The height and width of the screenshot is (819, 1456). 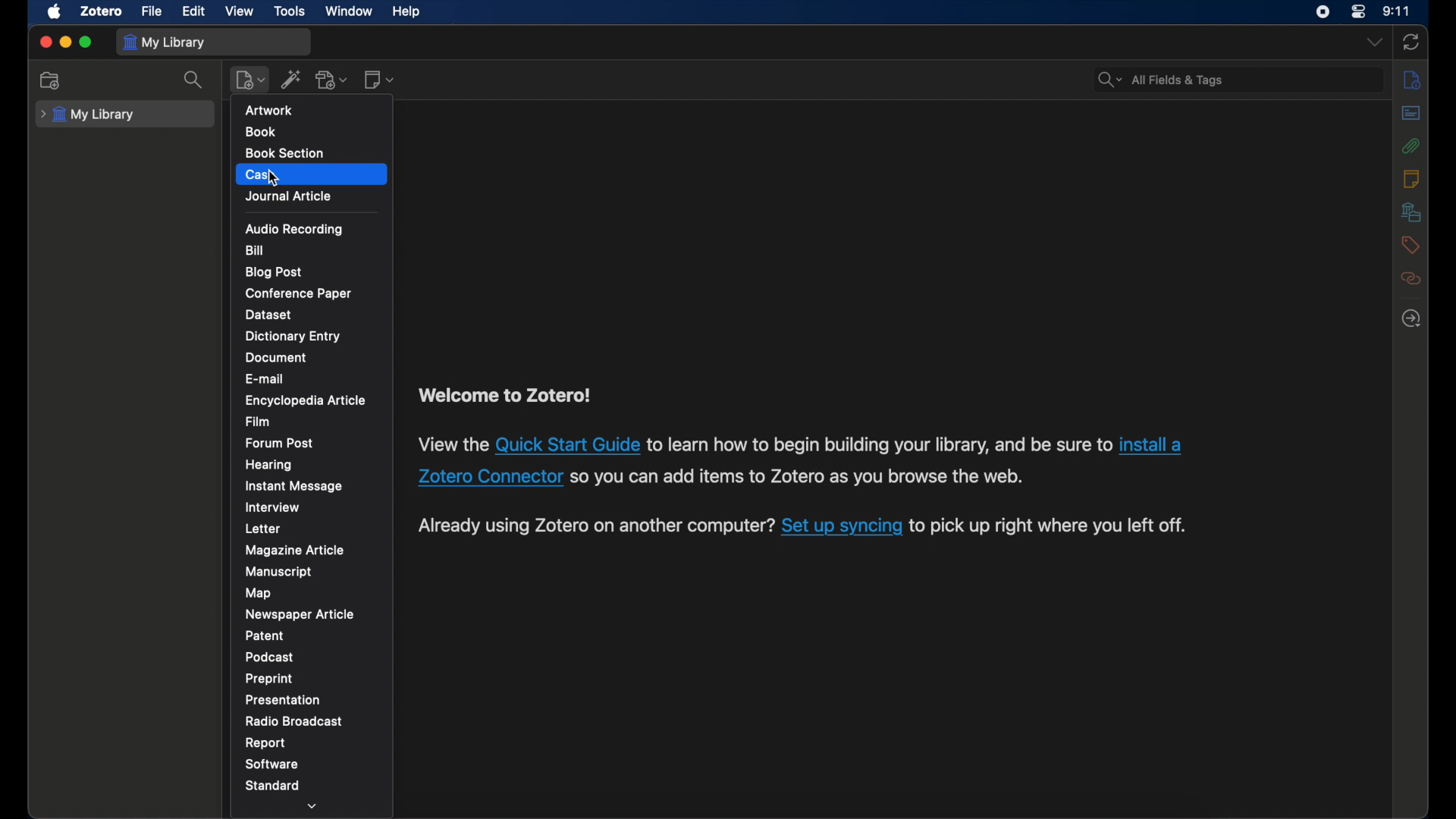 I want to click on related, so click(x=1412, y=278).